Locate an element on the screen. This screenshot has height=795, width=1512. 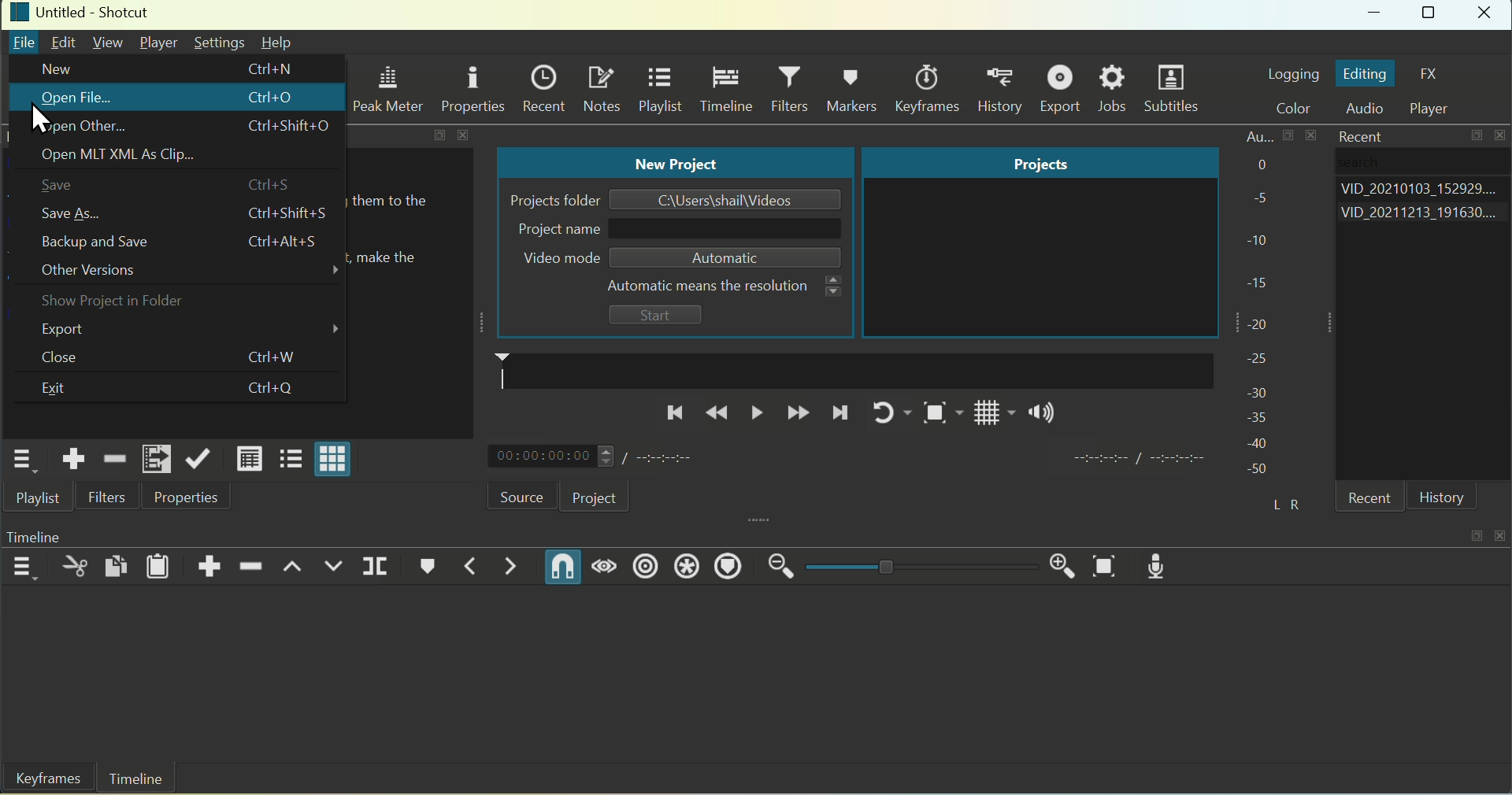
Edit is located at coordinates (65, 42).